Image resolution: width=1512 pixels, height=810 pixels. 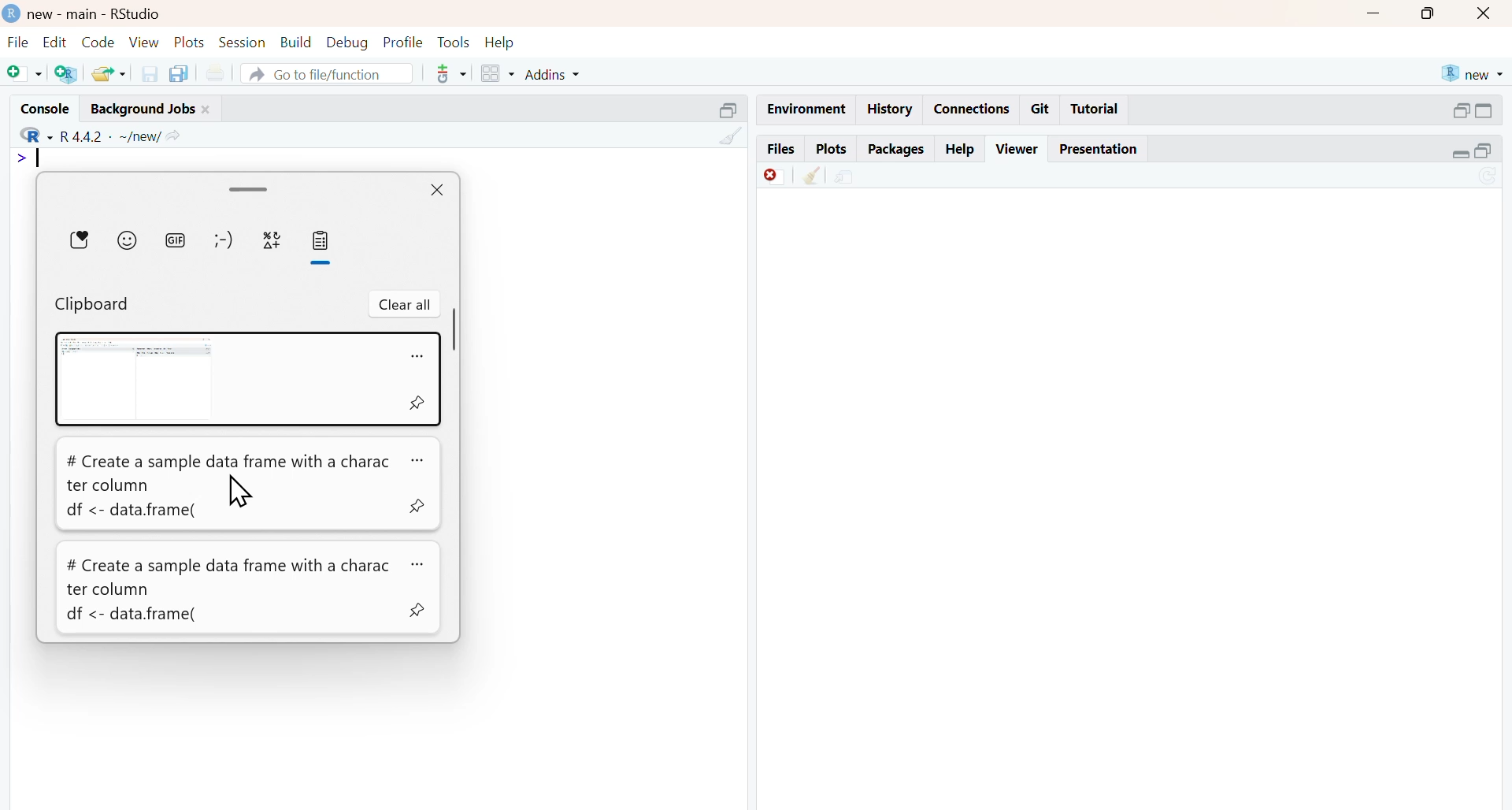 I want to click on close, so click(x=437, y=191).